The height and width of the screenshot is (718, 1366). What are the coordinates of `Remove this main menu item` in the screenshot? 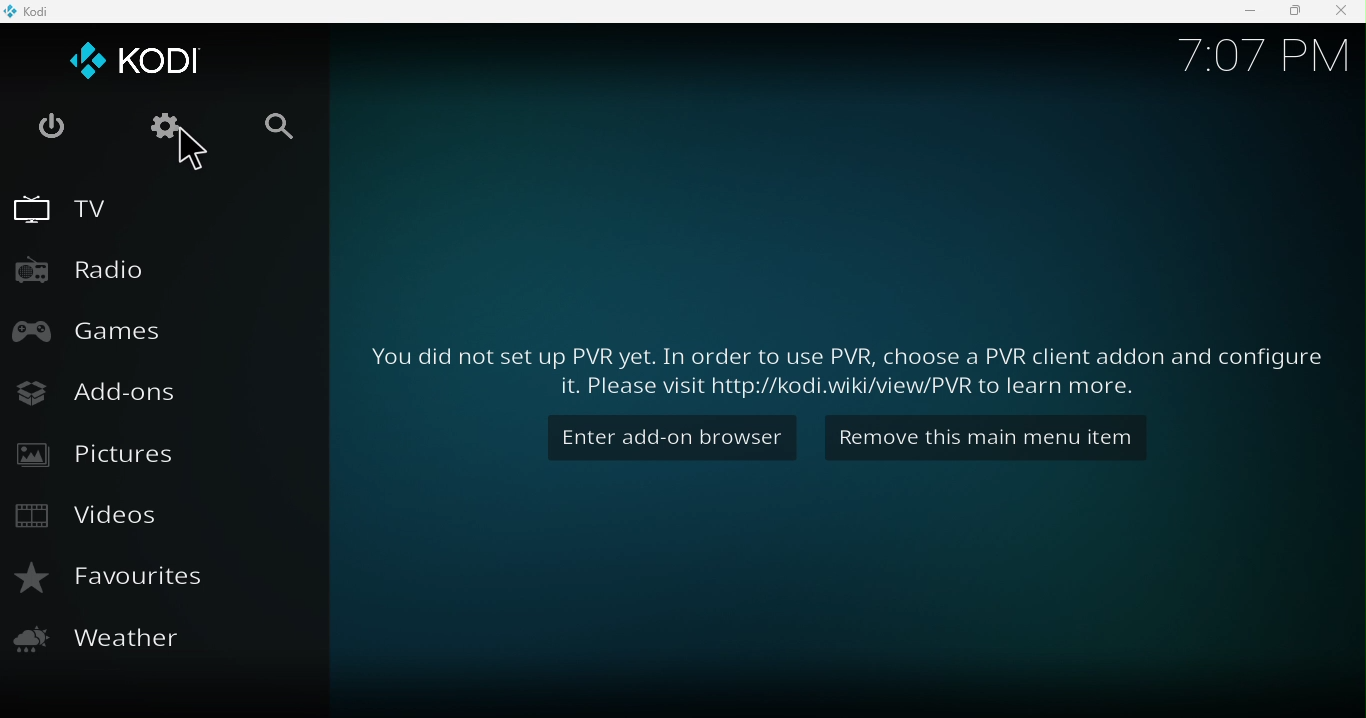 It's located at (997, 440).